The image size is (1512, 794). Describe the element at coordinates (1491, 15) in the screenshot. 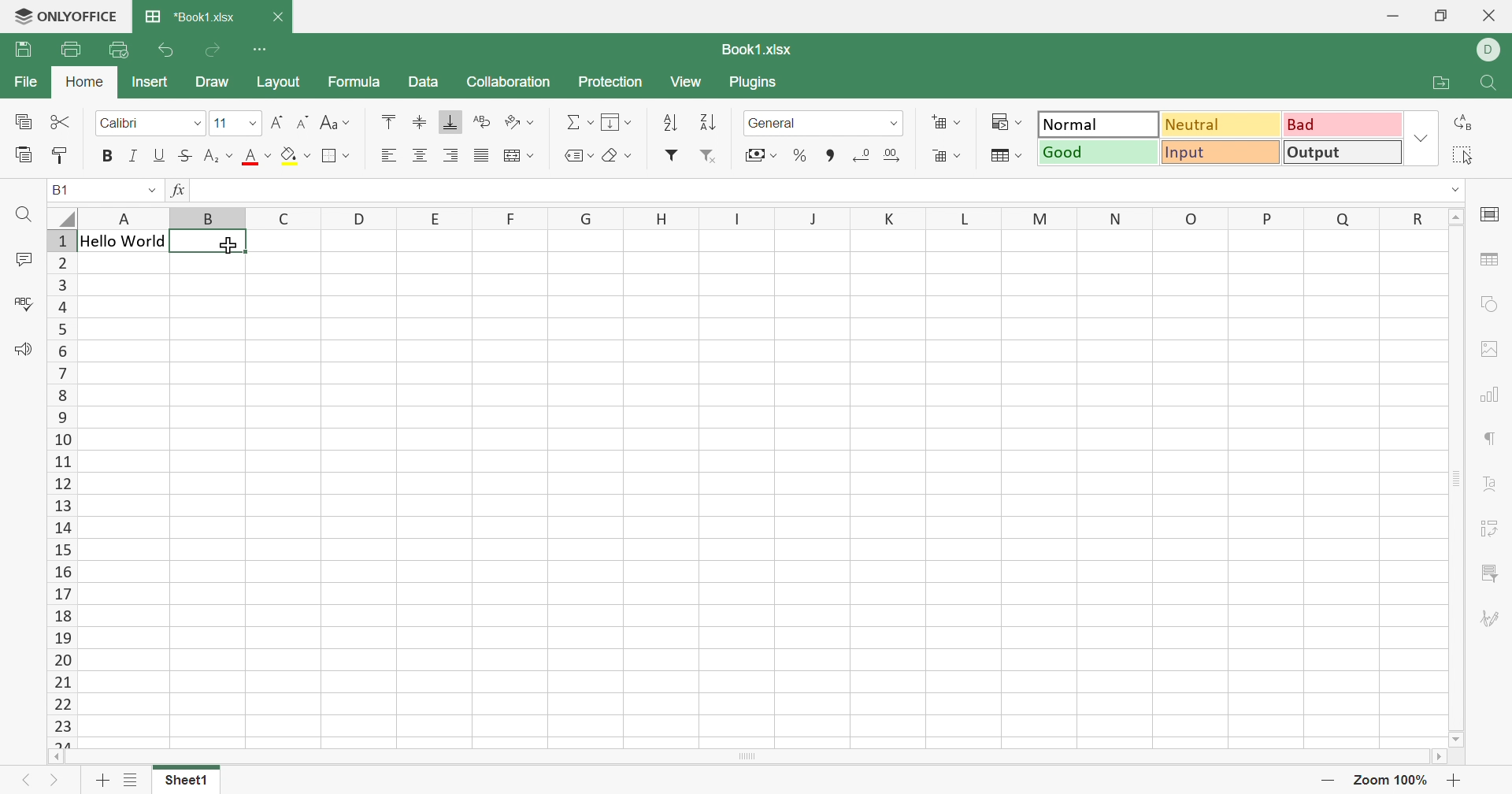

I see `Close` at that location.